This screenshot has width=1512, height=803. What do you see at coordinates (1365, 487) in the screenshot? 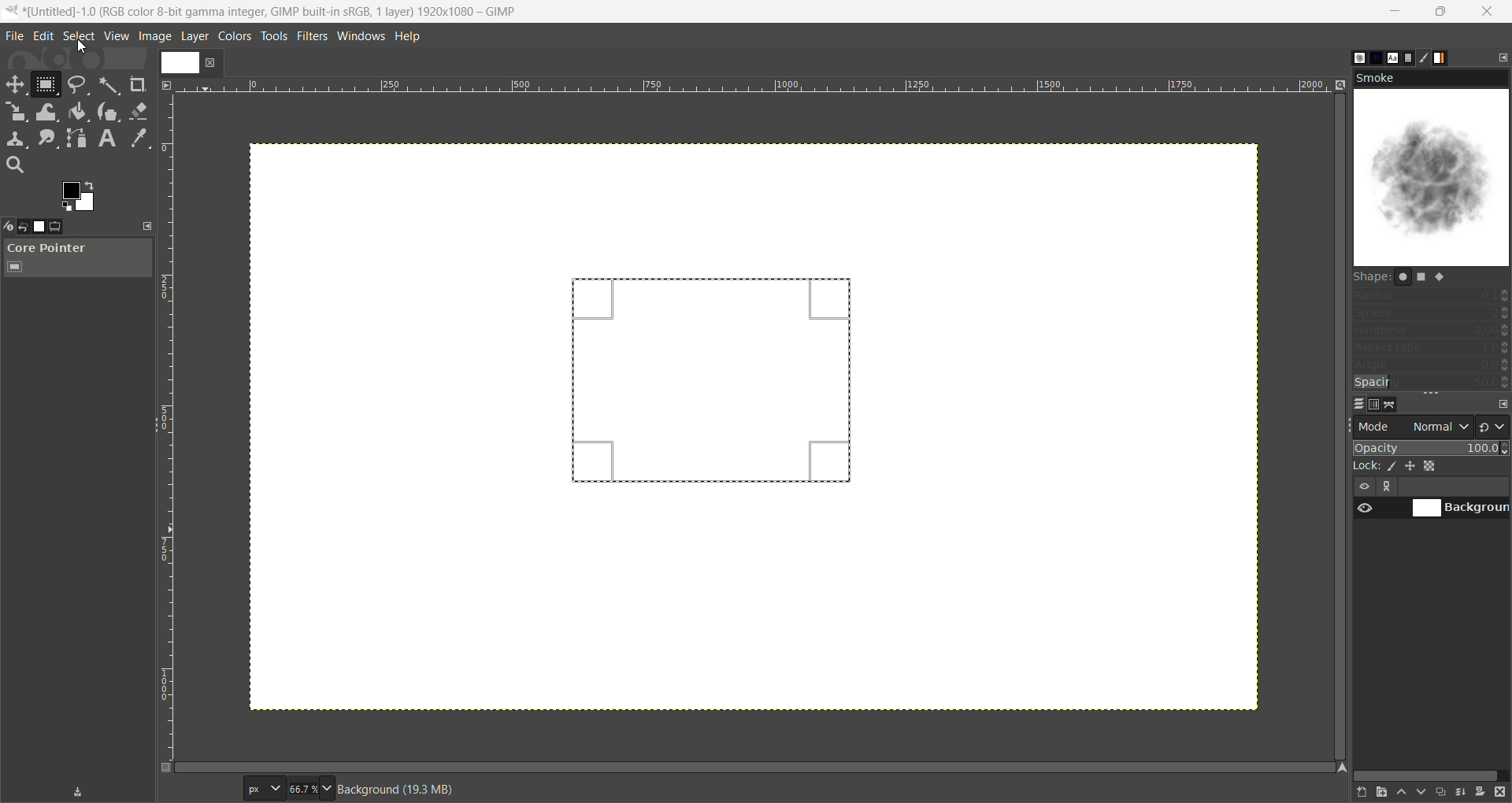
I see `visibility` at bounding box center [1365, 487].